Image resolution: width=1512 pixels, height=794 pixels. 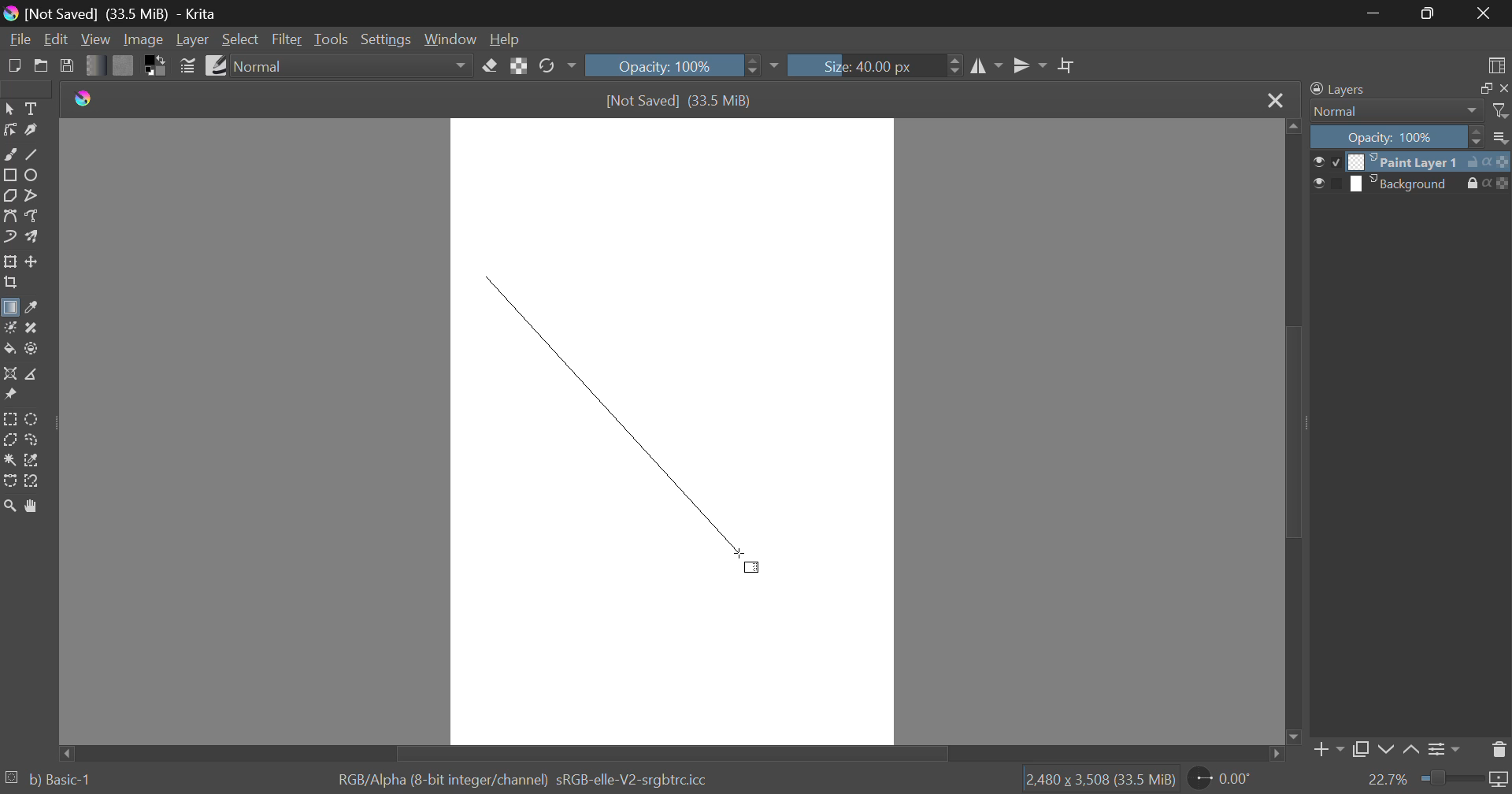 What do you see at coordinates (9, 238) in the screenshot?
I see `Dynamic Brush Tool` at bounding box center [9, 238].